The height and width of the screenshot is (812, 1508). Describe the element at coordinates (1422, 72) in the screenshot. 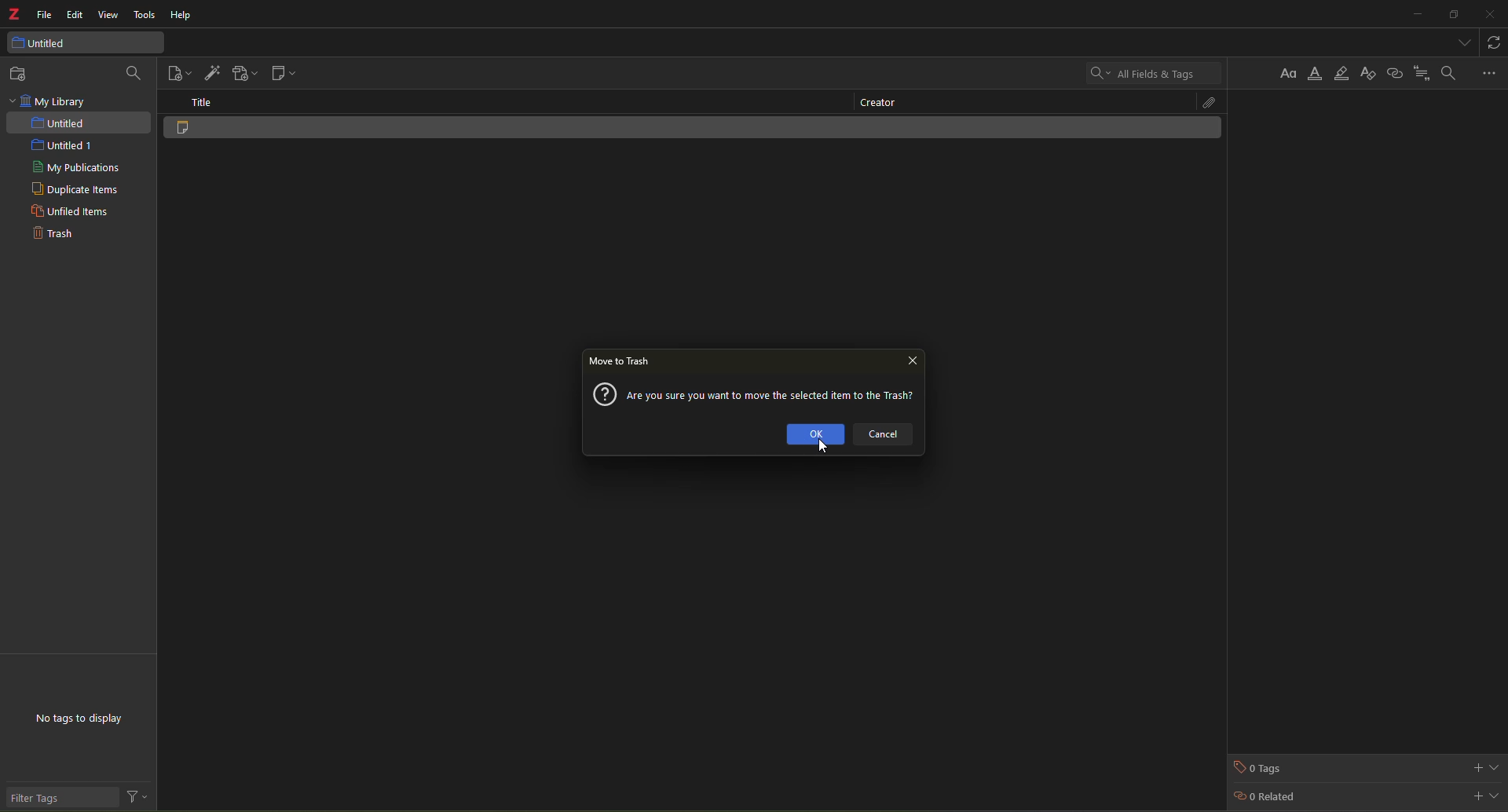

I see `citation` at that location.